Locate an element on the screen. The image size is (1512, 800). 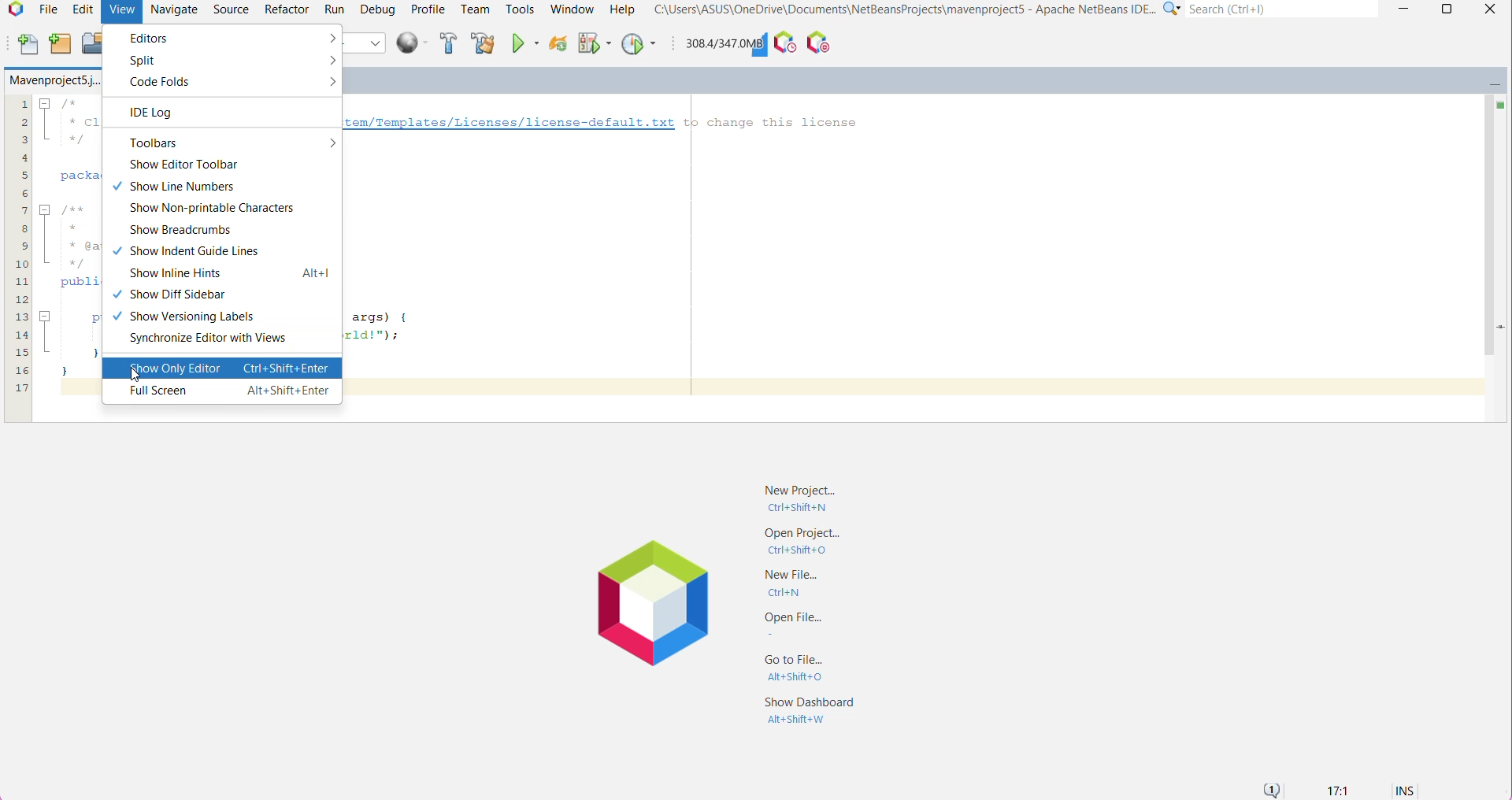
Go to File is located at coordinates (799, 669).